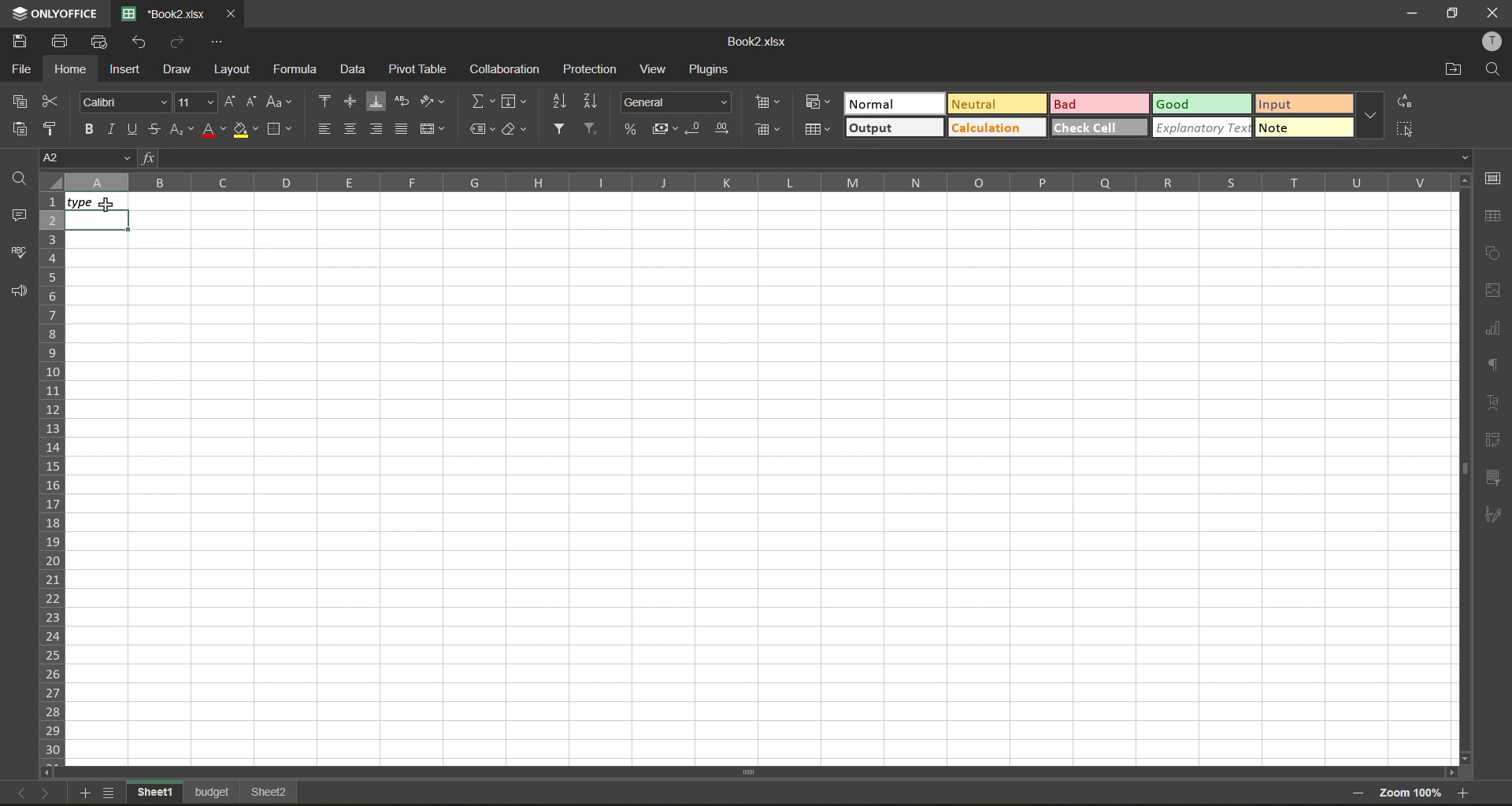 The height and width of the screenshot is (806, 1512). I want to click on plugins, so click(712, 70).